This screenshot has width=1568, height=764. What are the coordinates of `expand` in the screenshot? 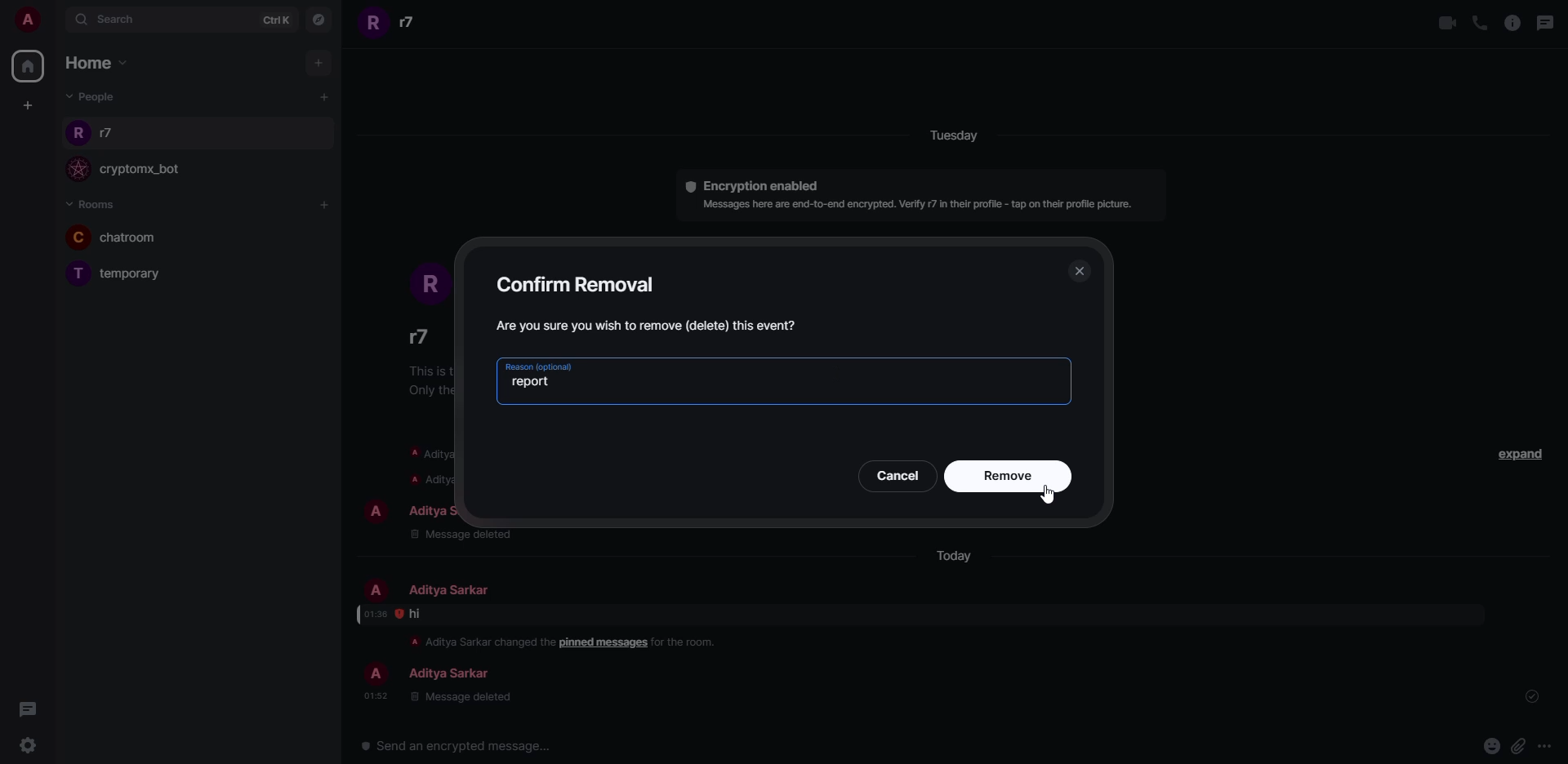 It's located at (1518, 453).